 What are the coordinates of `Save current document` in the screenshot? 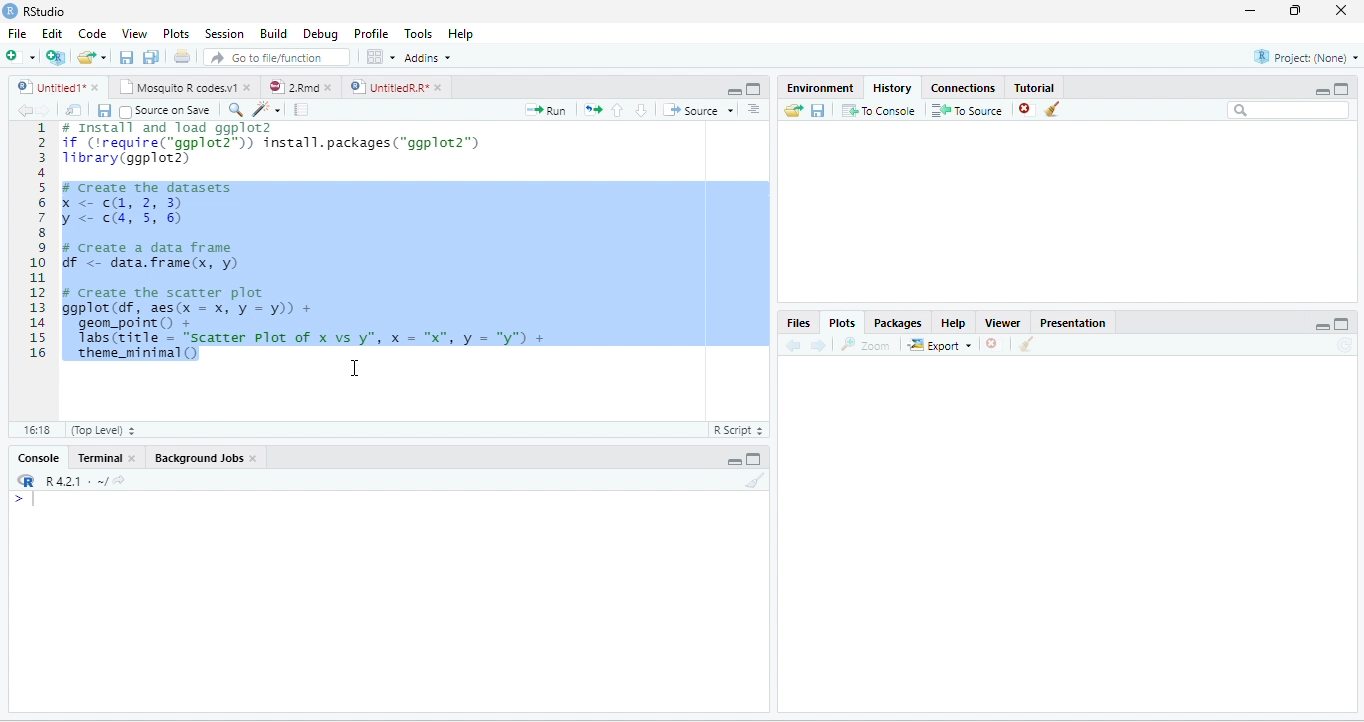 It's located at (127, 56).